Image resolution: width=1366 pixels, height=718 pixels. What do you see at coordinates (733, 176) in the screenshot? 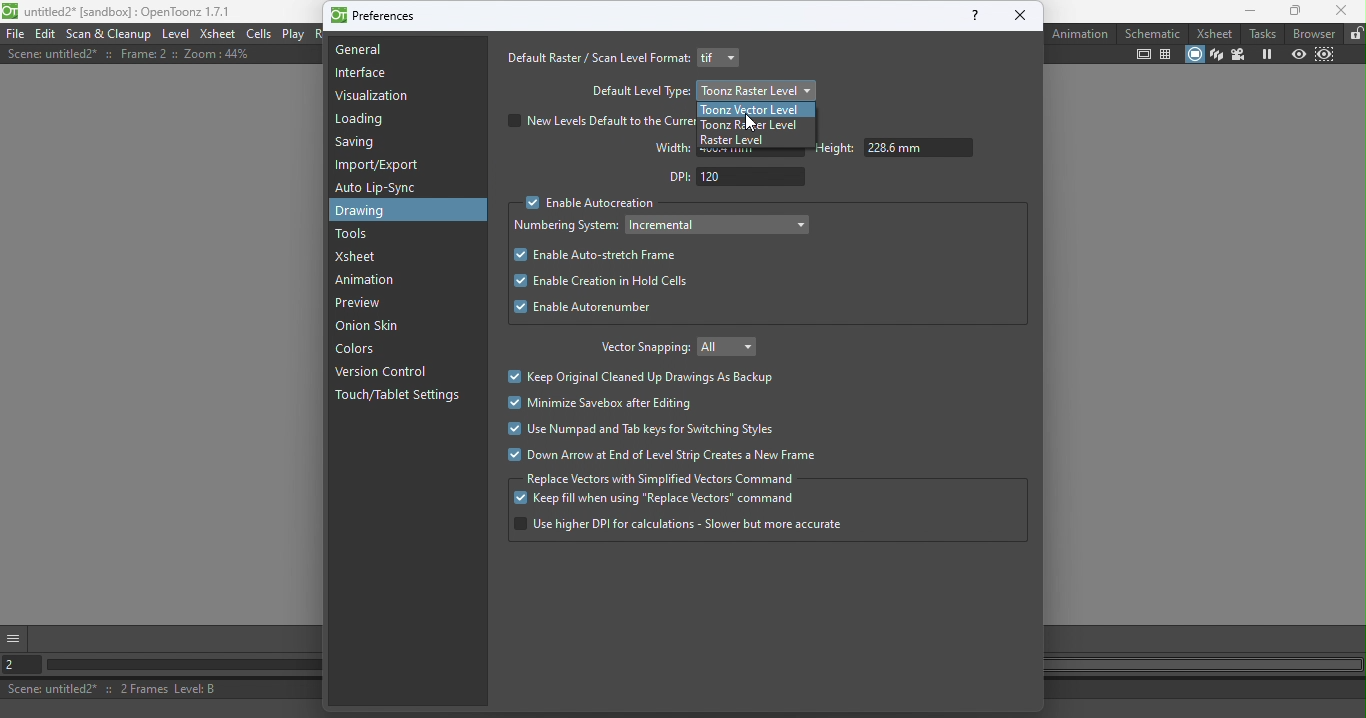
I see `DPI` at bounding box center [733, 176].